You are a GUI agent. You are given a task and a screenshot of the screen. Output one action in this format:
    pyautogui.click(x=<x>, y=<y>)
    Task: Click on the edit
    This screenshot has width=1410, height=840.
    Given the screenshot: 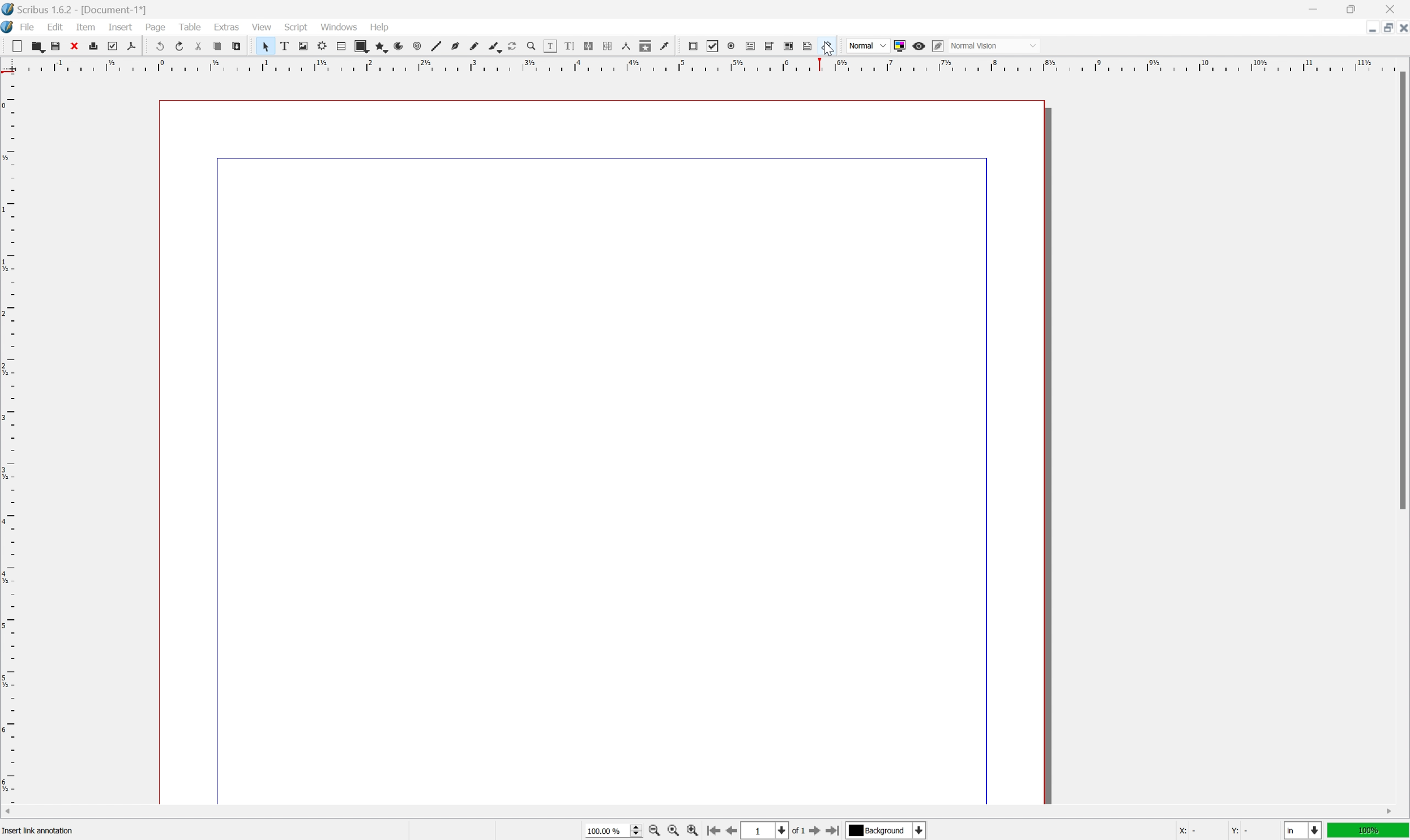 What is the action you would take?
    pyautogui.click(x=55, y=27)
    